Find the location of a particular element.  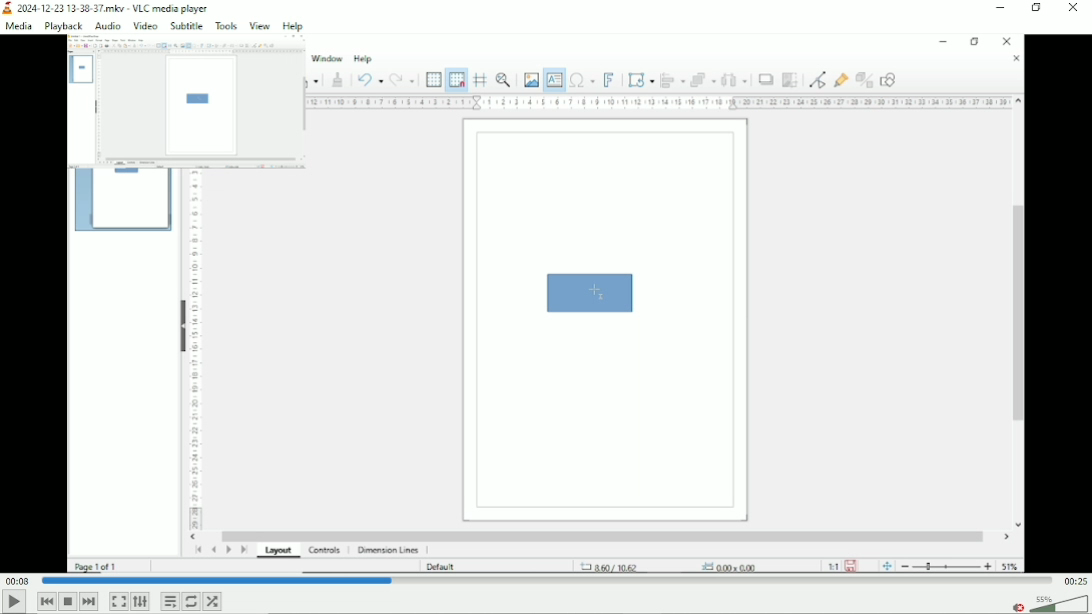

Volume is located at coordinates (1060, 604).